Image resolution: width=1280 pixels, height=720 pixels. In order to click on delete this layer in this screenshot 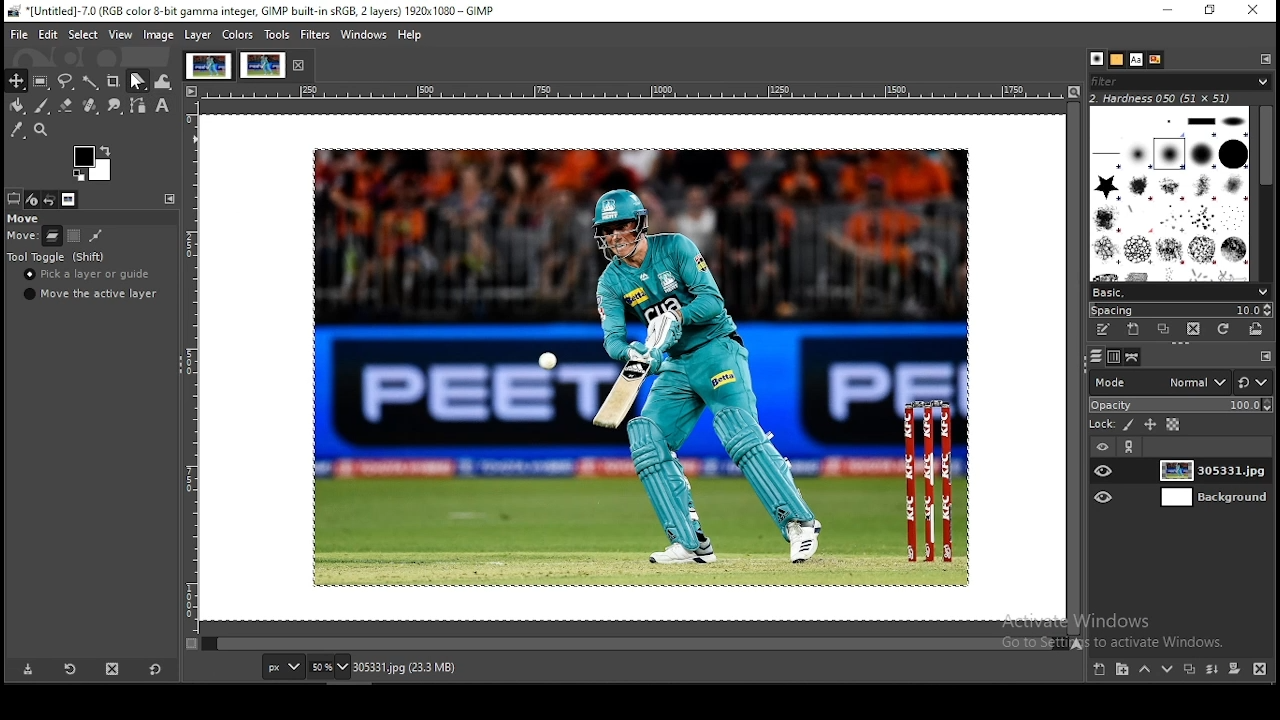, I will do `click(112, 668)`.